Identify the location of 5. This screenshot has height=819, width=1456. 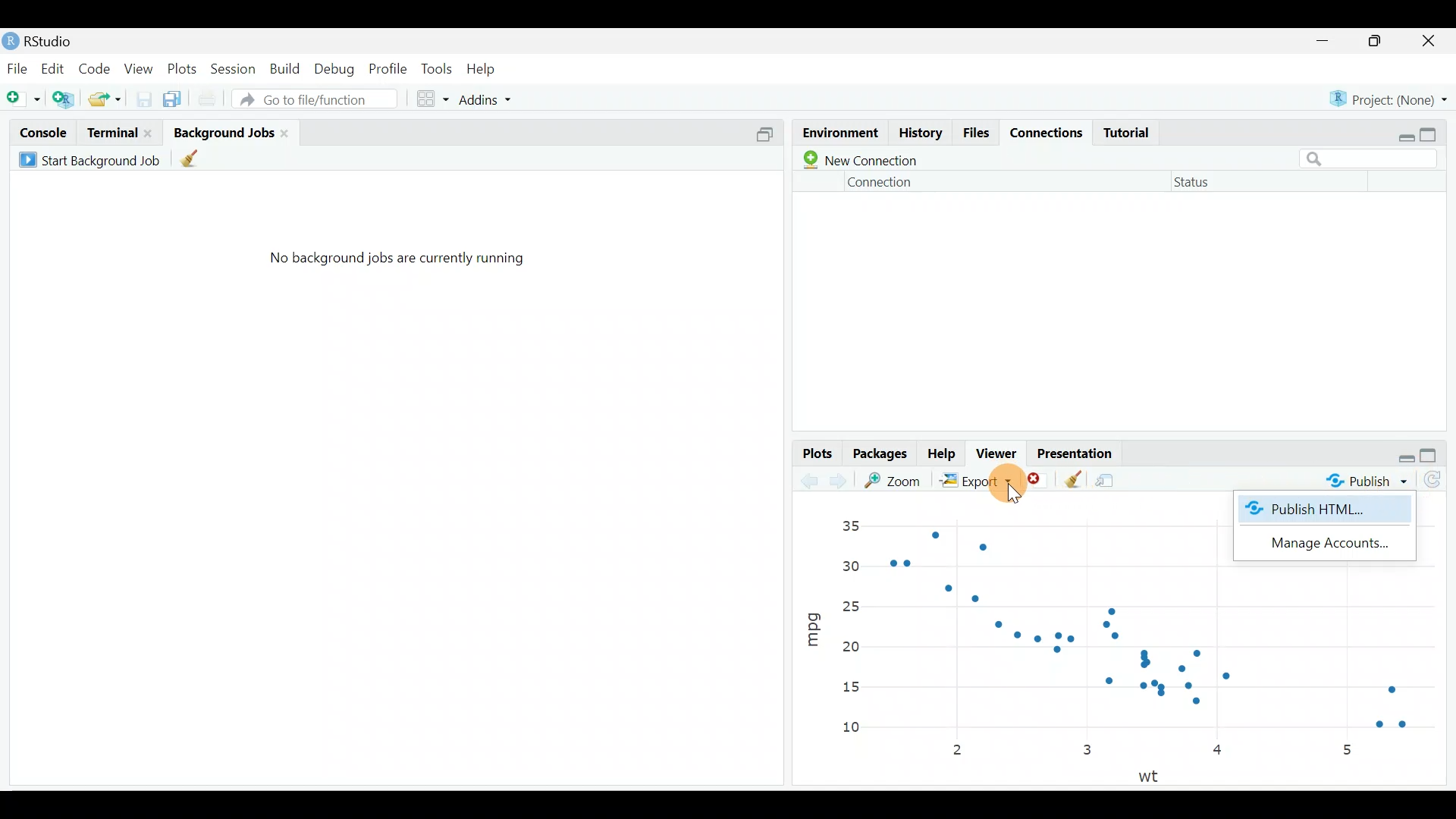
(1347, 749).